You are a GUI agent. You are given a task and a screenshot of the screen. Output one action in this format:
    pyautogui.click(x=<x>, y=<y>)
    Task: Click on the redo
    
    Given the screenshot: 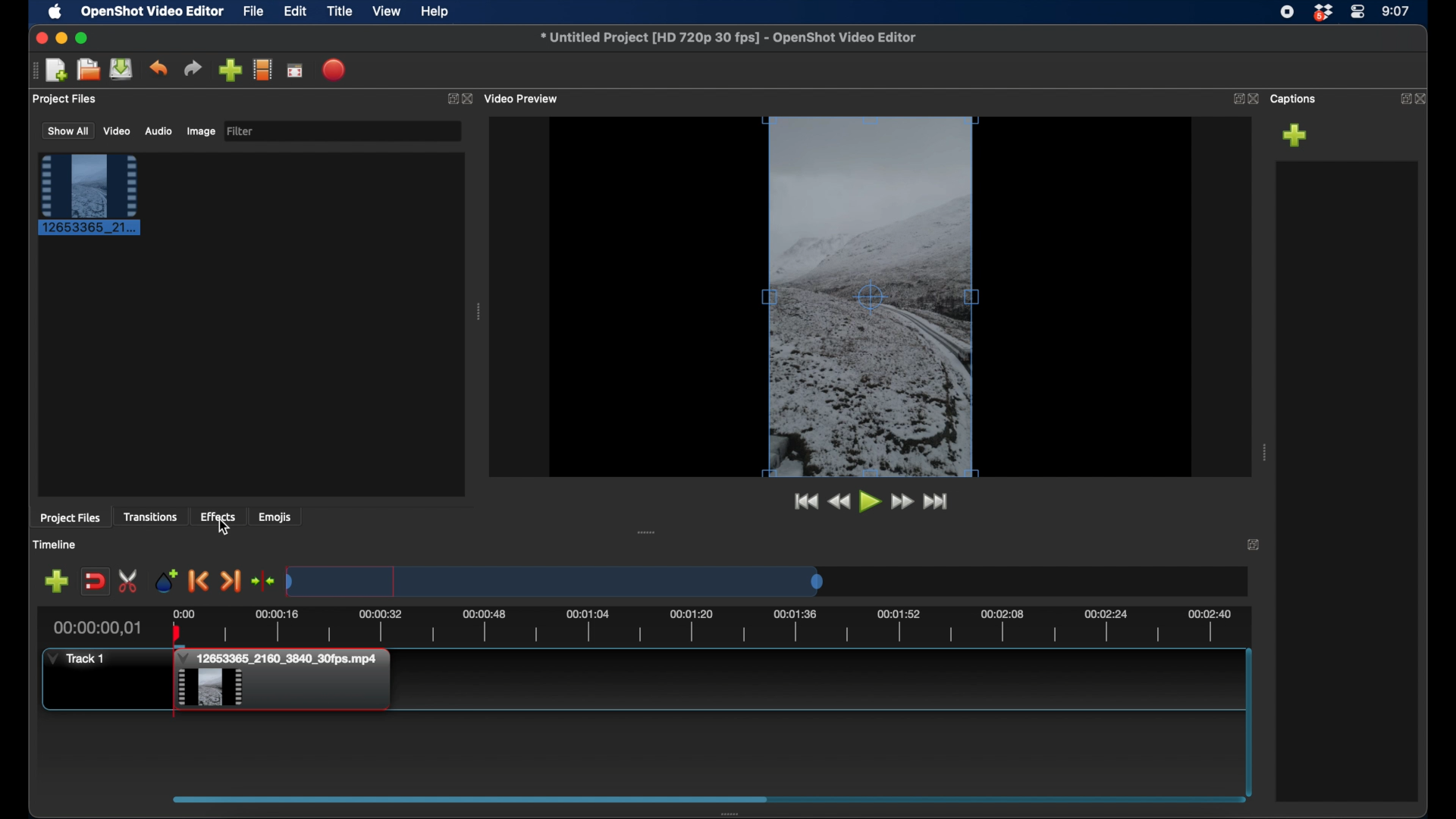 What is the action you would take?
    pyautogui.click(x=193, y=68)
    